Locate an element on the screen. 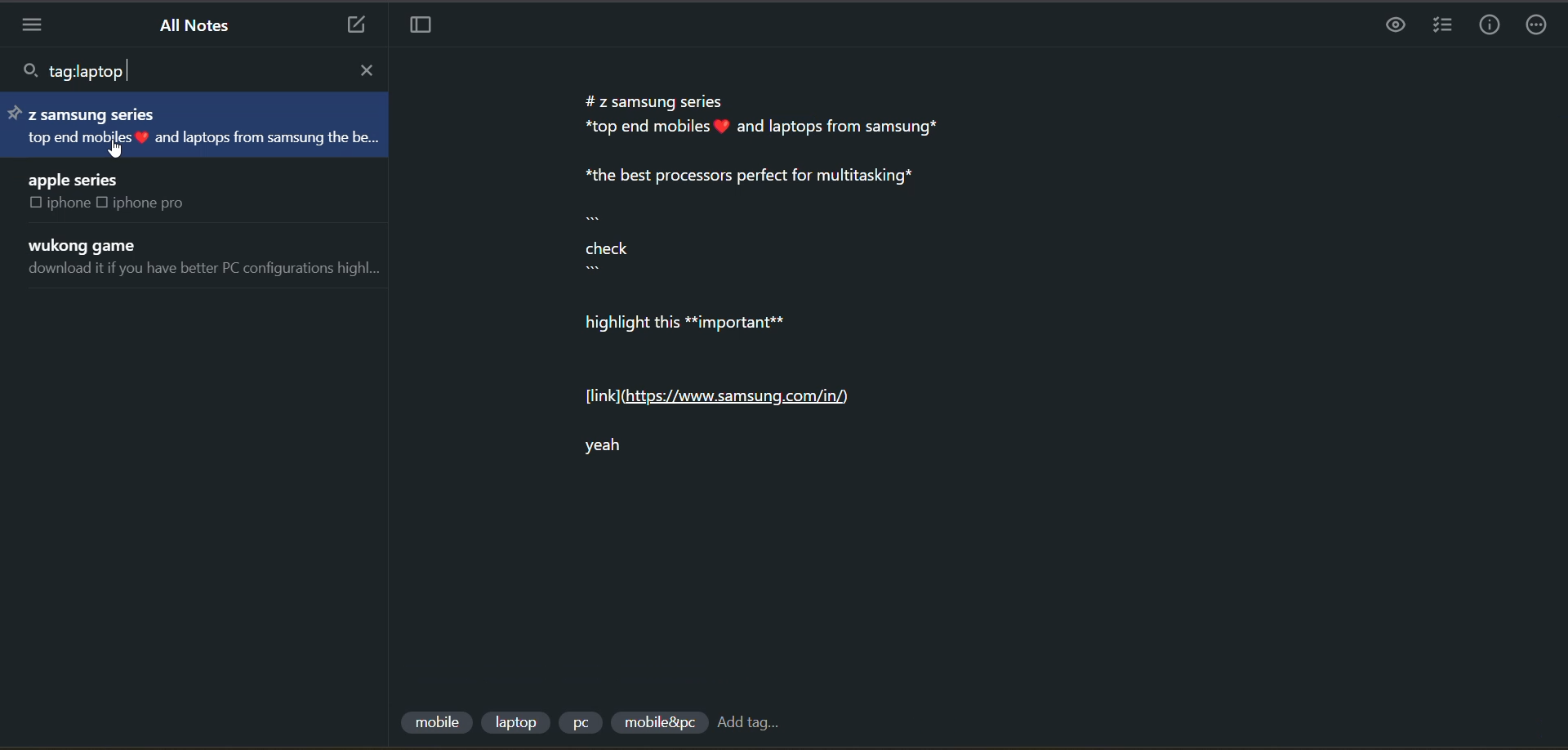  mobile is located at coordinates (434, 717).